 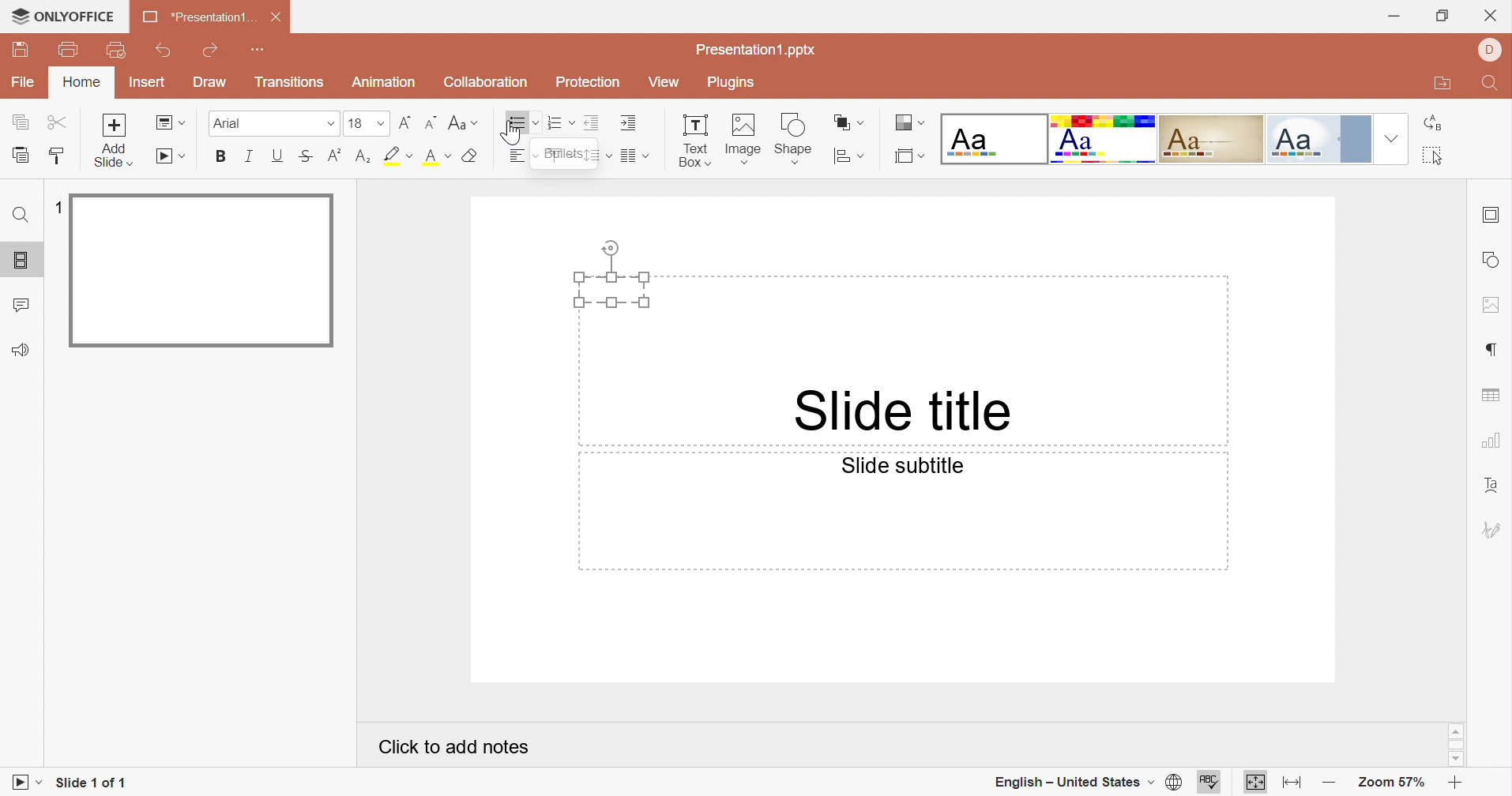 What do you see at coordinates (901, 467) in the screenshot?
I see `Slide subtitle` at bounding box center [901, 467].